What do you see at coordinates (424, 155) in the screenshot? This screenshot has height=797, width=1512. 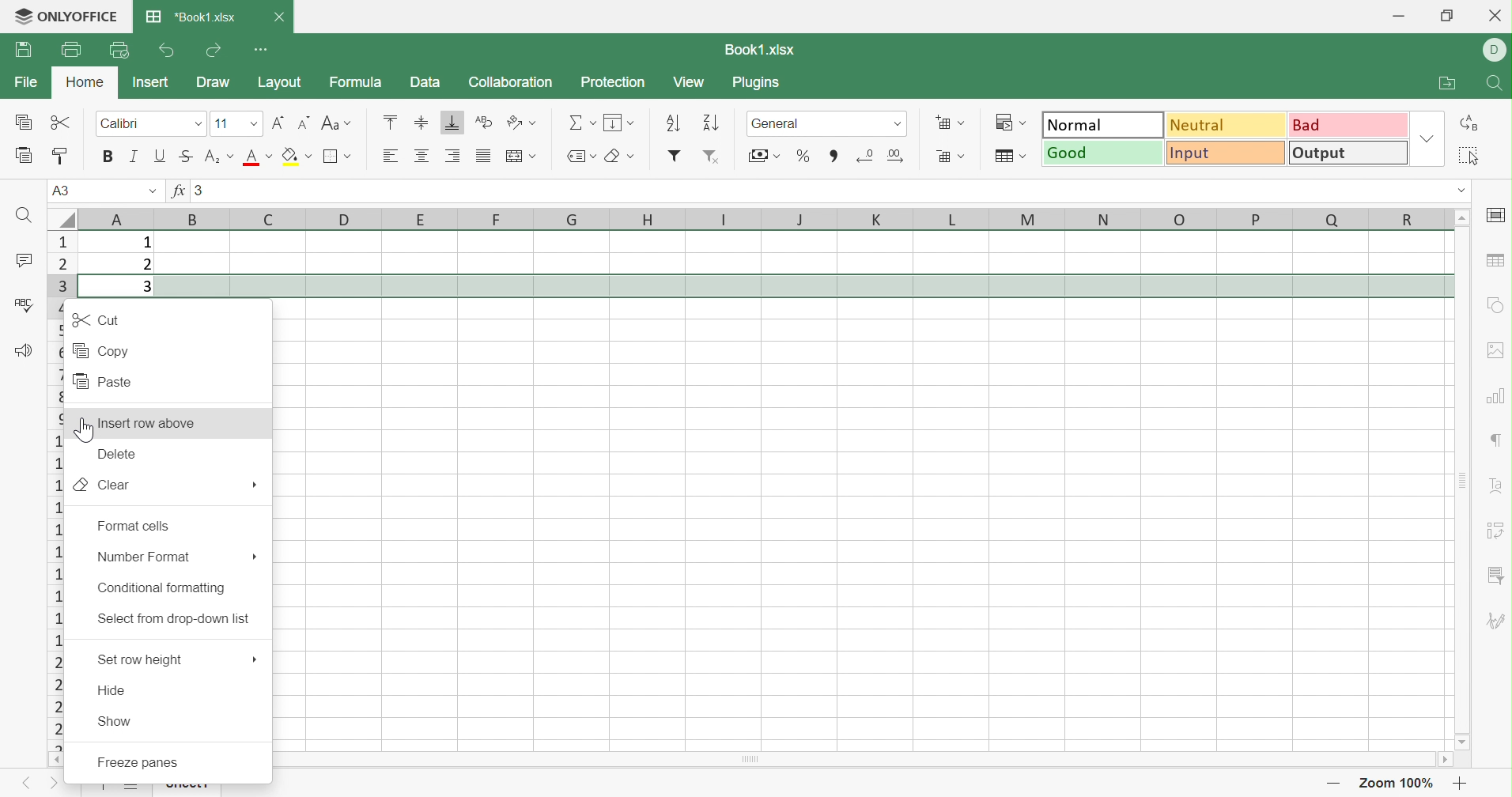 I see `Align Center` at bounding box center [424, 155].